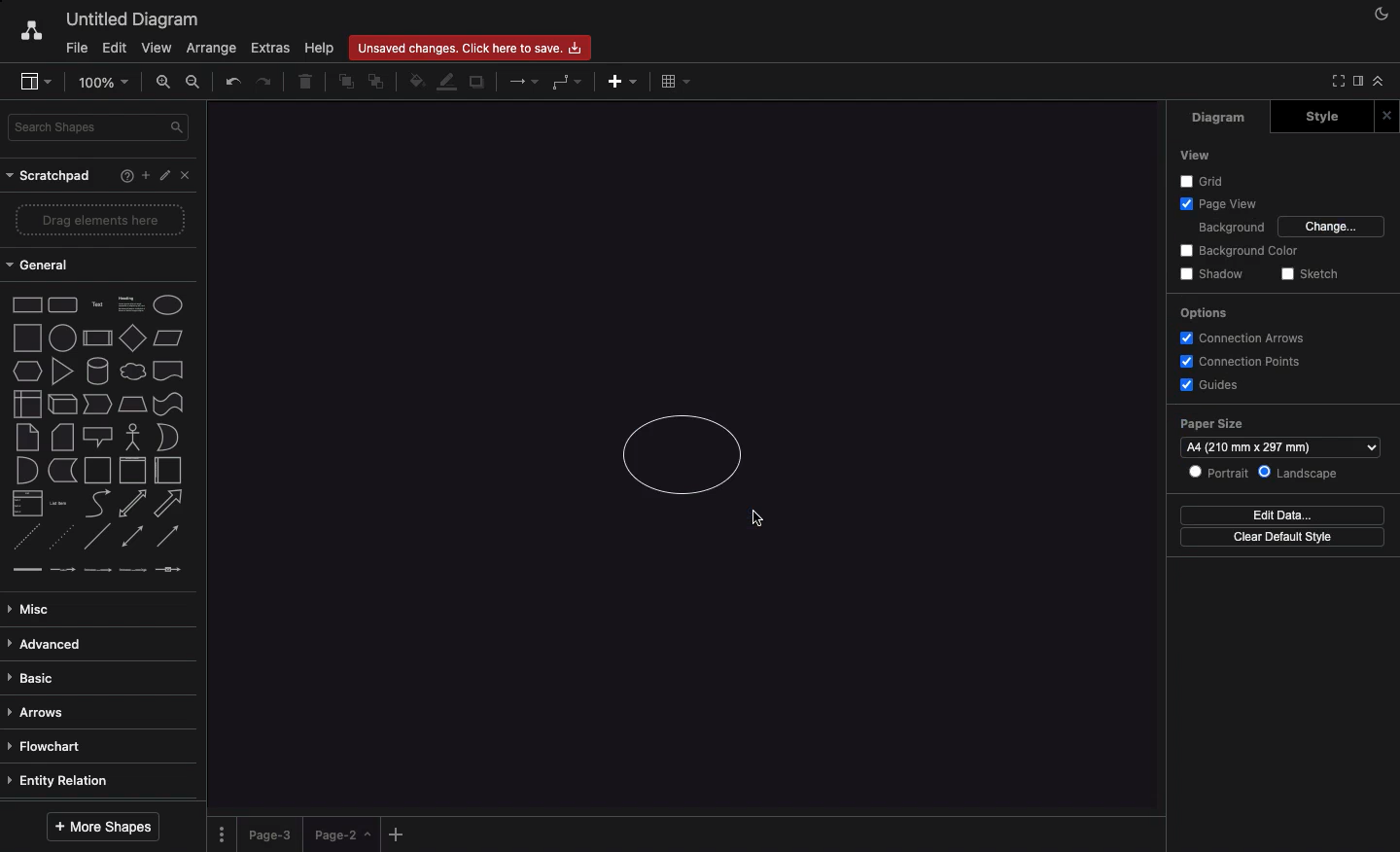 This screenshot has height=852, width=1400. I want to click on card, so click(63, 436).